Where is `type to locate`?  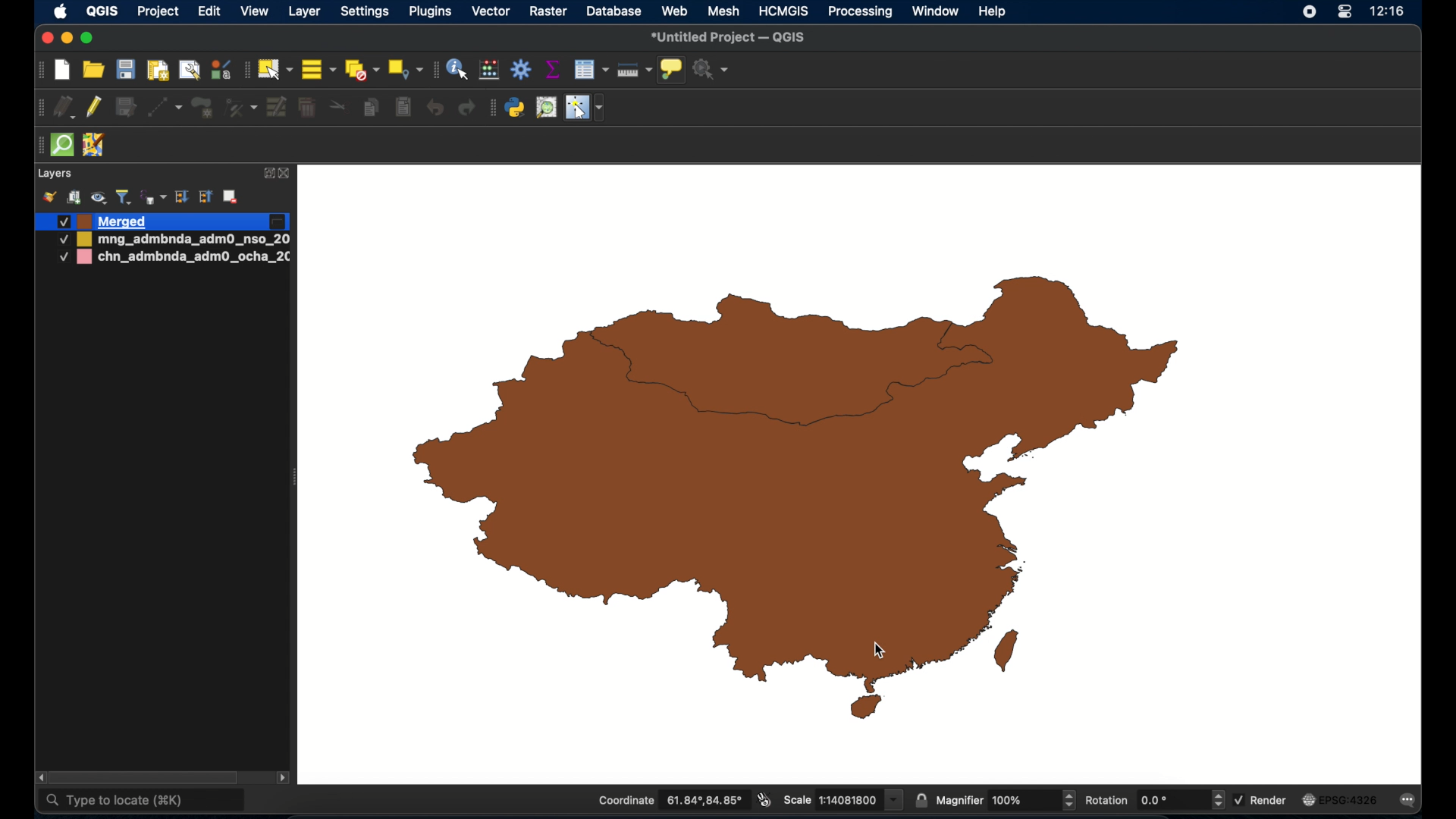 type to locate is located at coordinates (143, 802).